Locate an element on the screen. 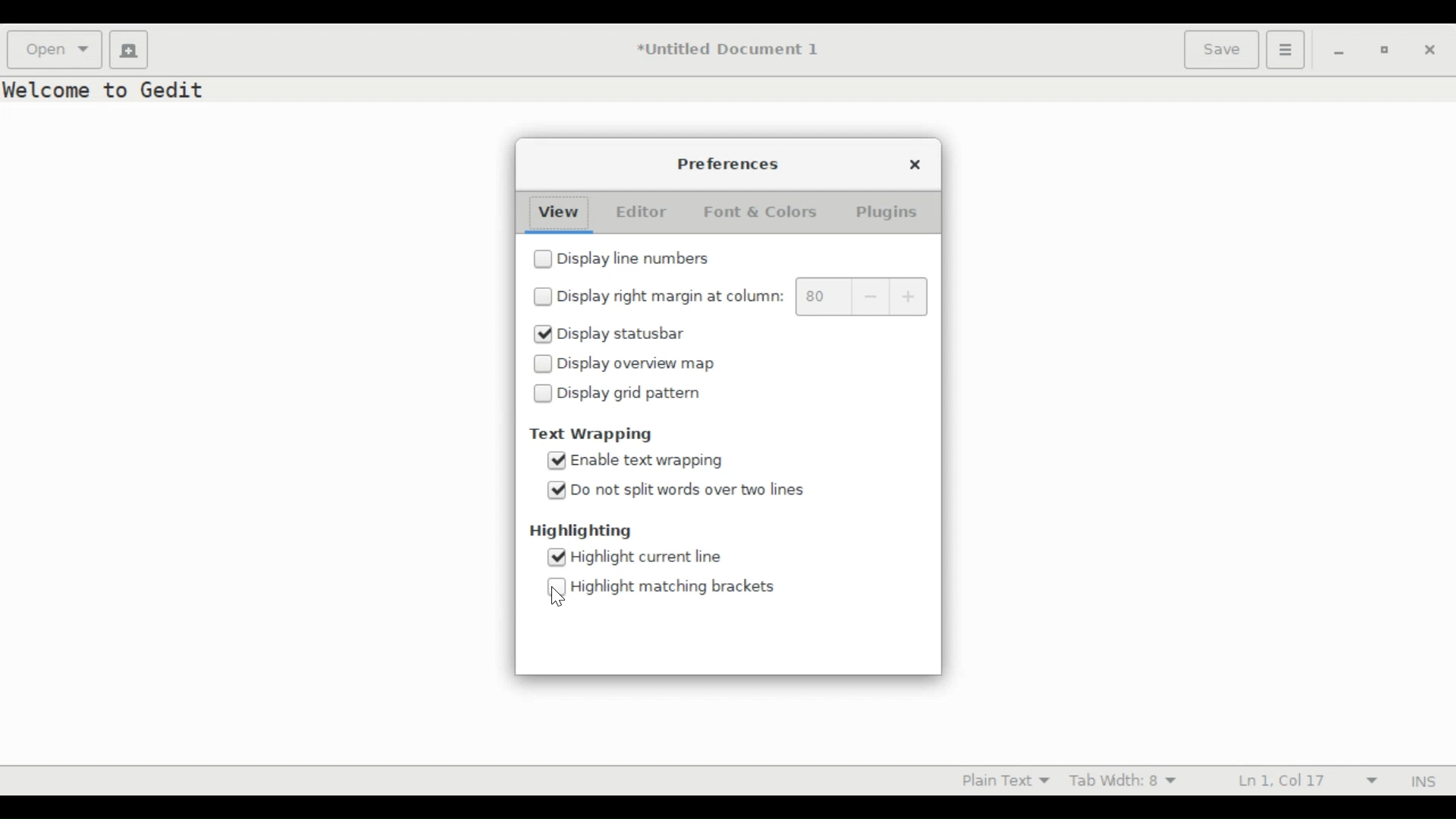 This screenshot has width=1456, height=819. Restore is located at coordinates (1382, 49).